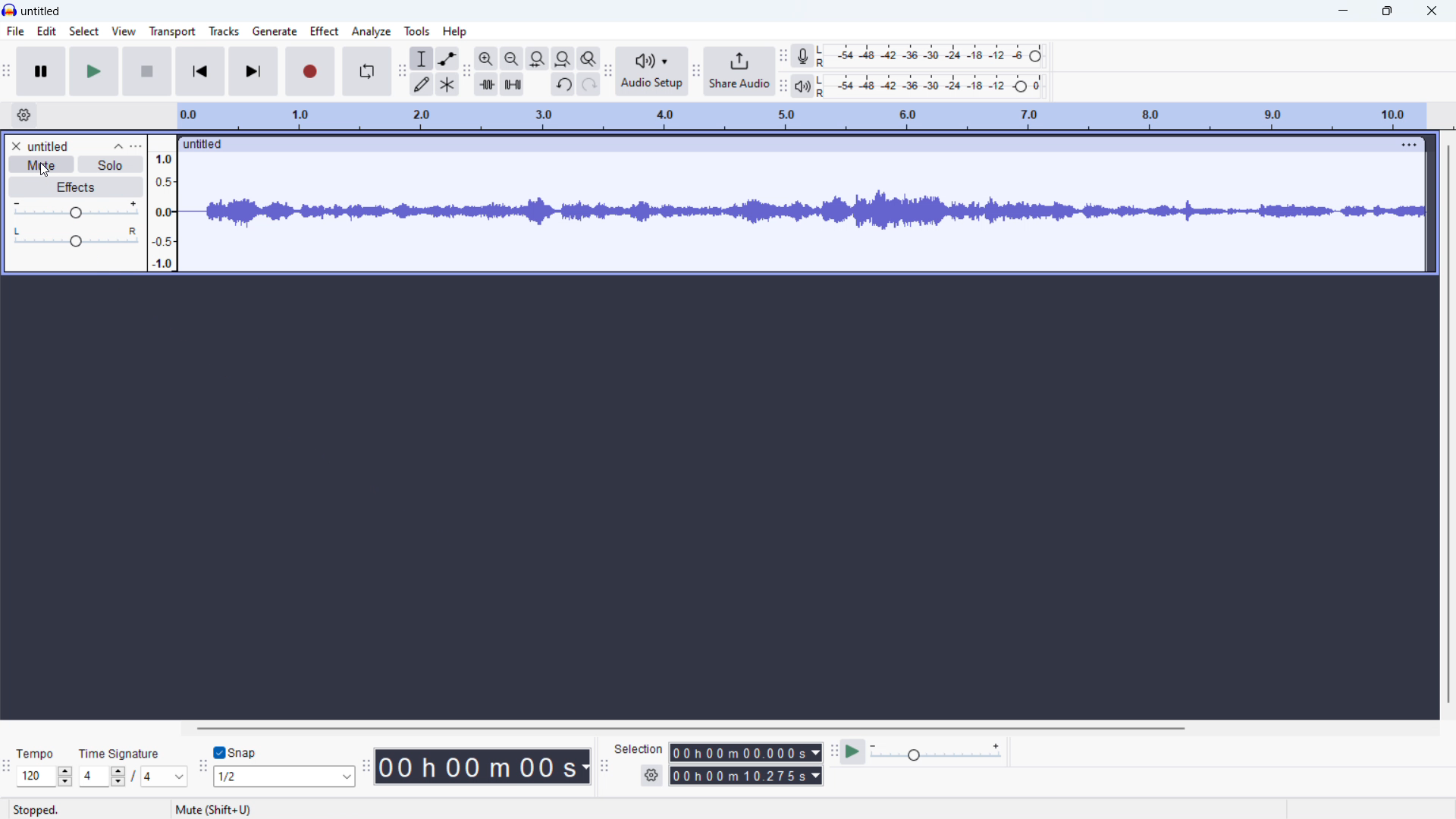 Image resolution: width=1456 pixels, height=819 pixels. I want to click on snapping toolbar, so click(202, 769).